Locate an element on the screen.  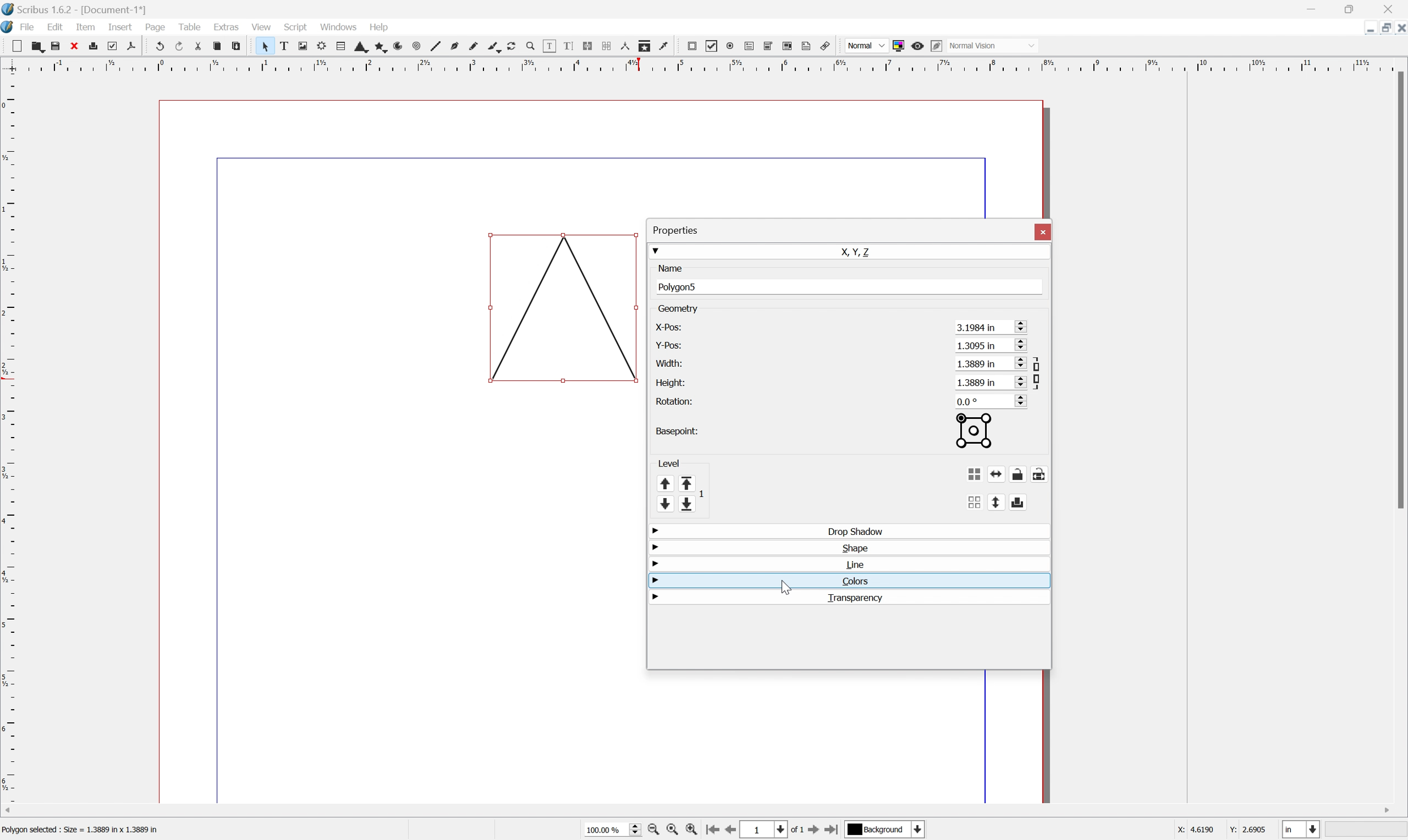
Select frame is located at coordinates (267, 48).